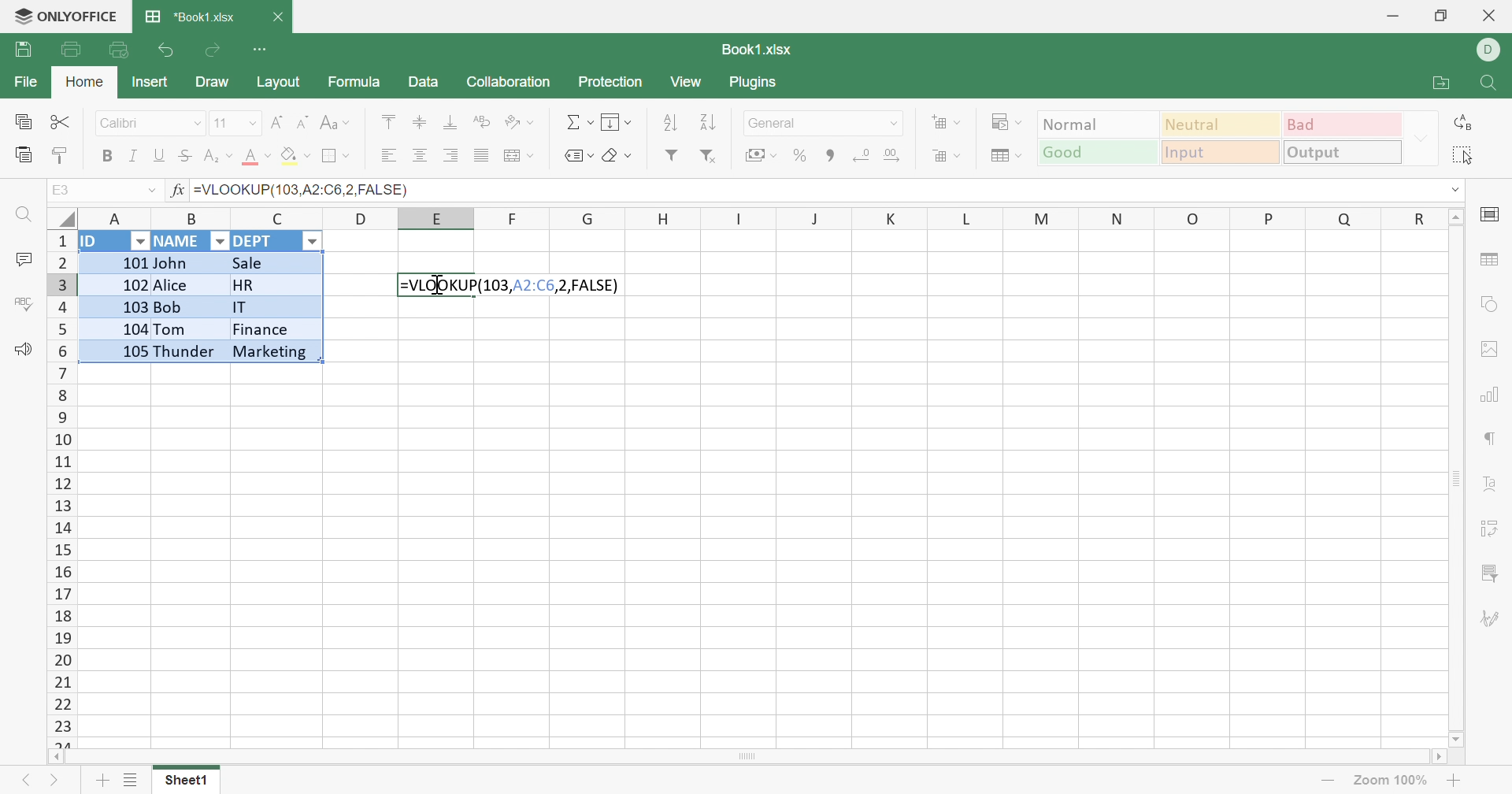 Image resolution: width=1512 pixels, height=794 pixels. What do you see at coordinates (895, 156) in the screenshot?
I see `Increase decimal` at bounding box center [895, 156].